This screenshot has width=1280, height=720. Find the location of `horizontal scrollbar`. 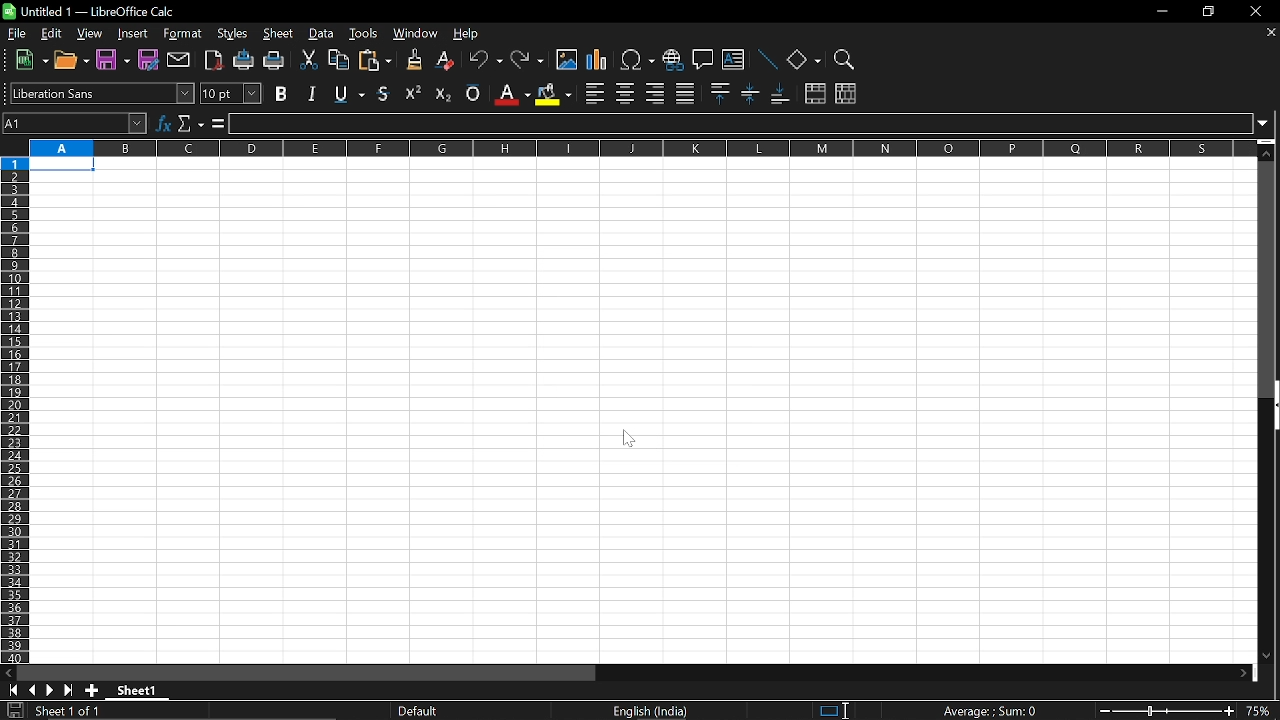

horizontal scrollbar is located at coordinates (306, 673).